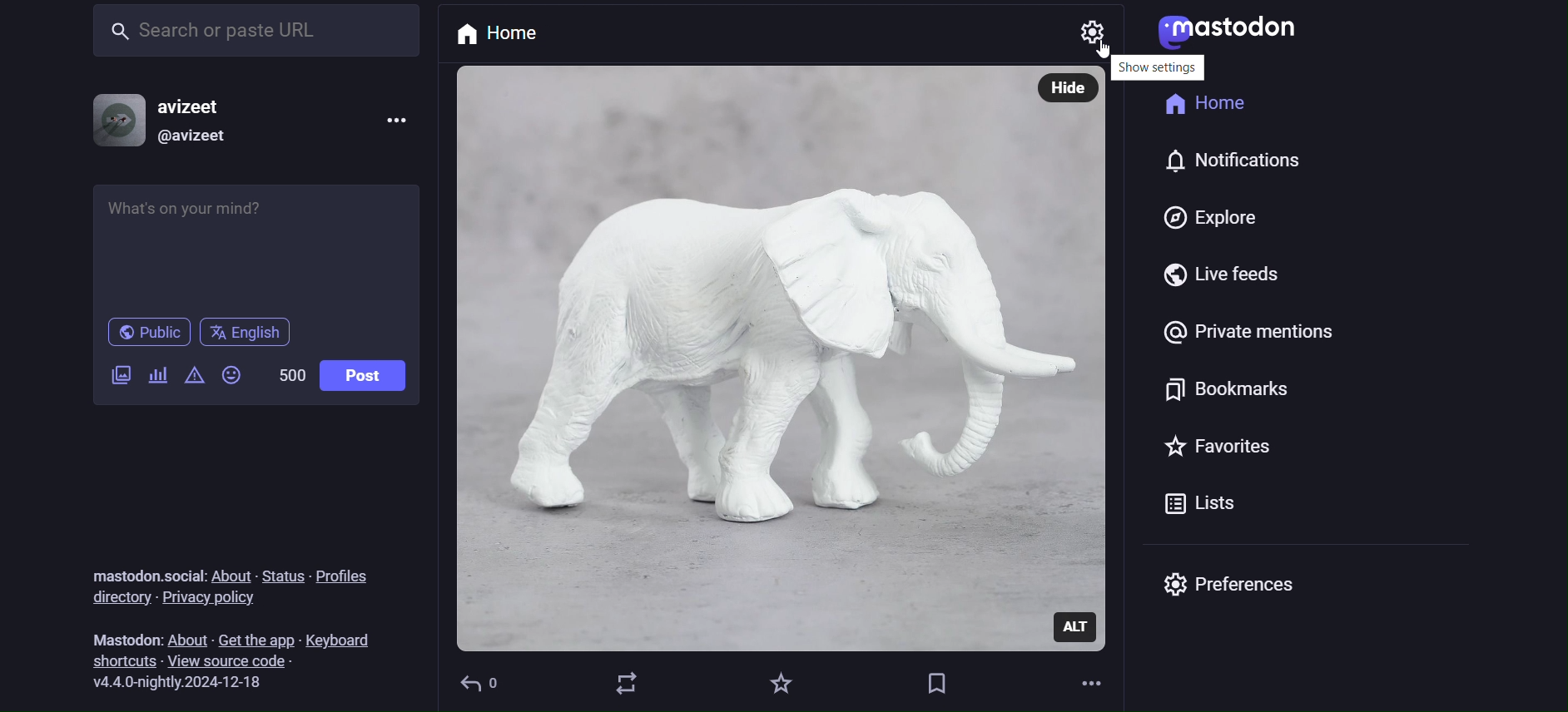 This screenshot has width=1568, height=712. What do you see at coordinates (1220, 393) in the screenshot?
I see `Bookmarks` at bounding box center [1220, 393].